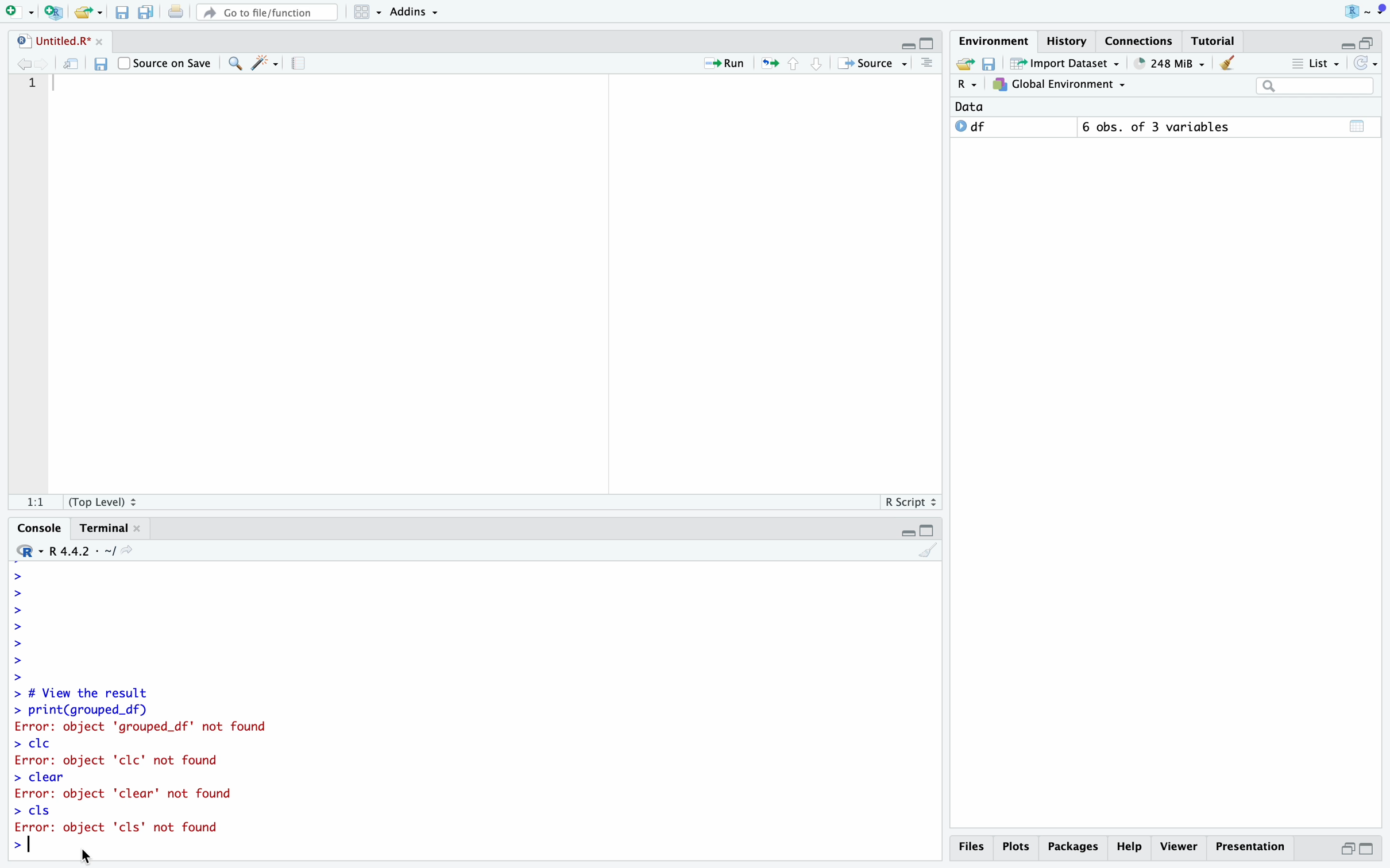 The height and width of the screenshot is (868, 1390). Describe the element at coordinates (909, 501) in the screenshot. I see `R Script` at that location.